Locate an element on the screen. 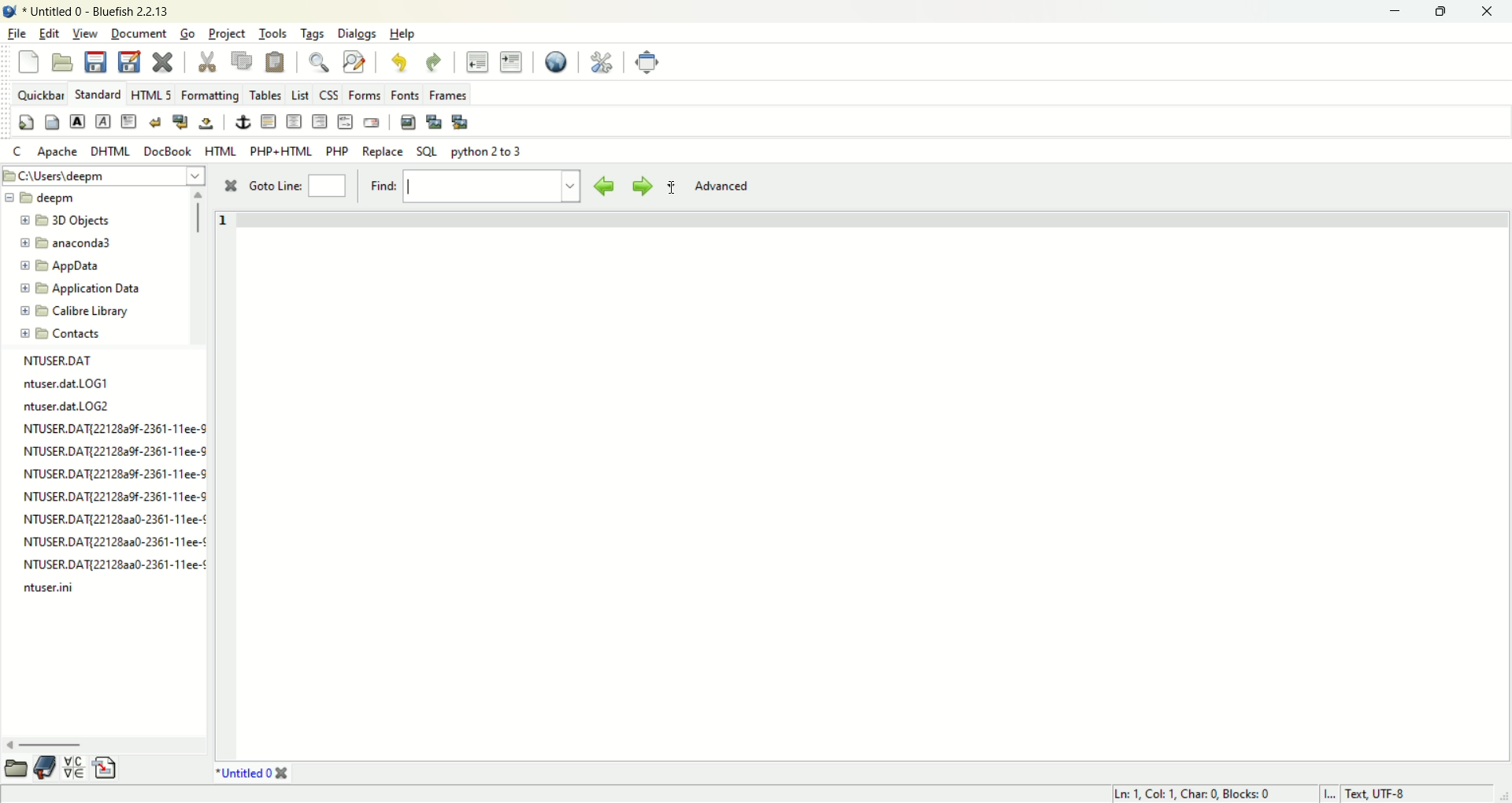  strong is located at coordinates (76, 121).